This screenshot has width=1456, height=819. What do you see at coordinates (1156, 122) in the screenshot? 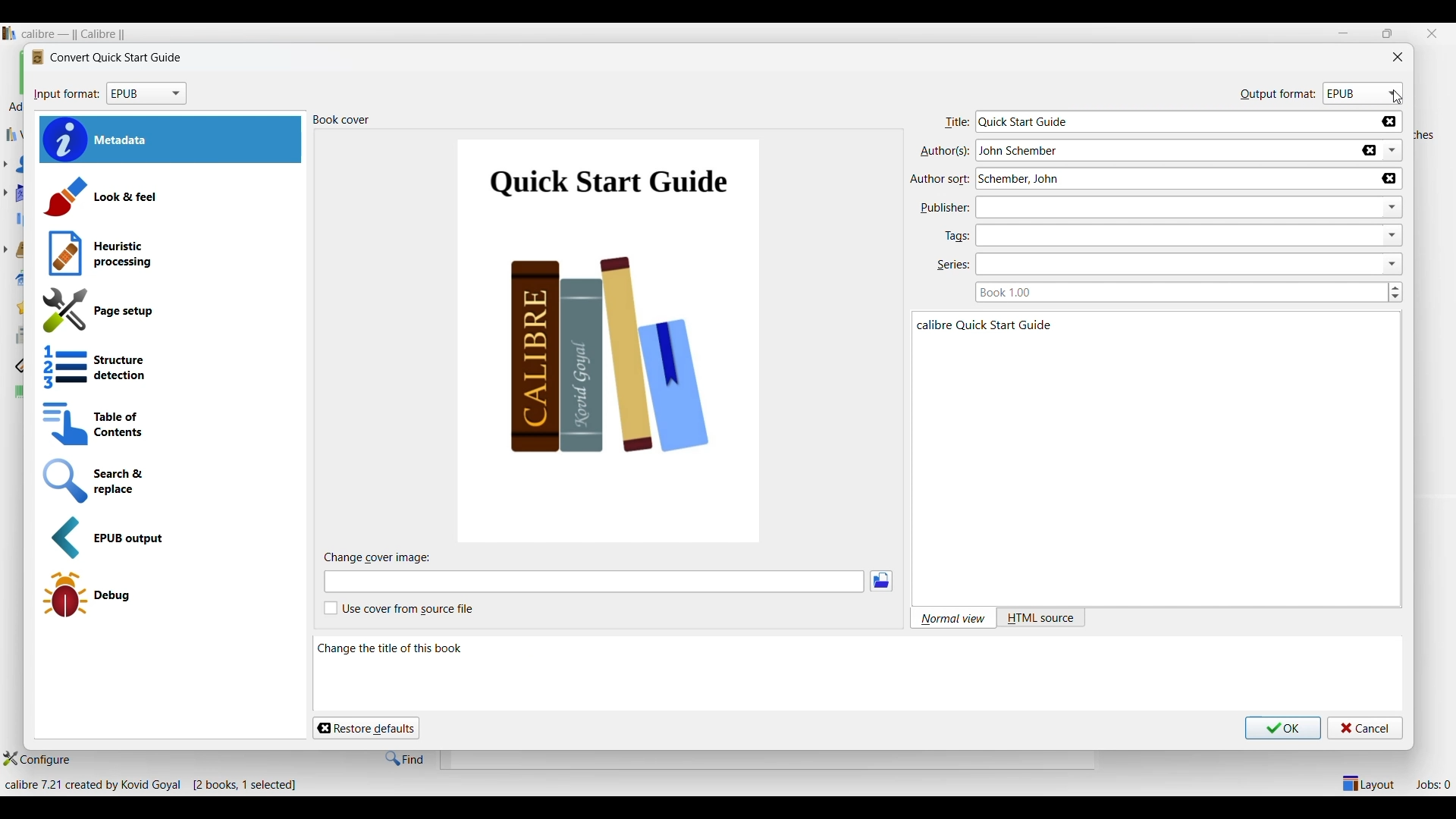
I see `Type in title` at bounding box center [1156, 122].